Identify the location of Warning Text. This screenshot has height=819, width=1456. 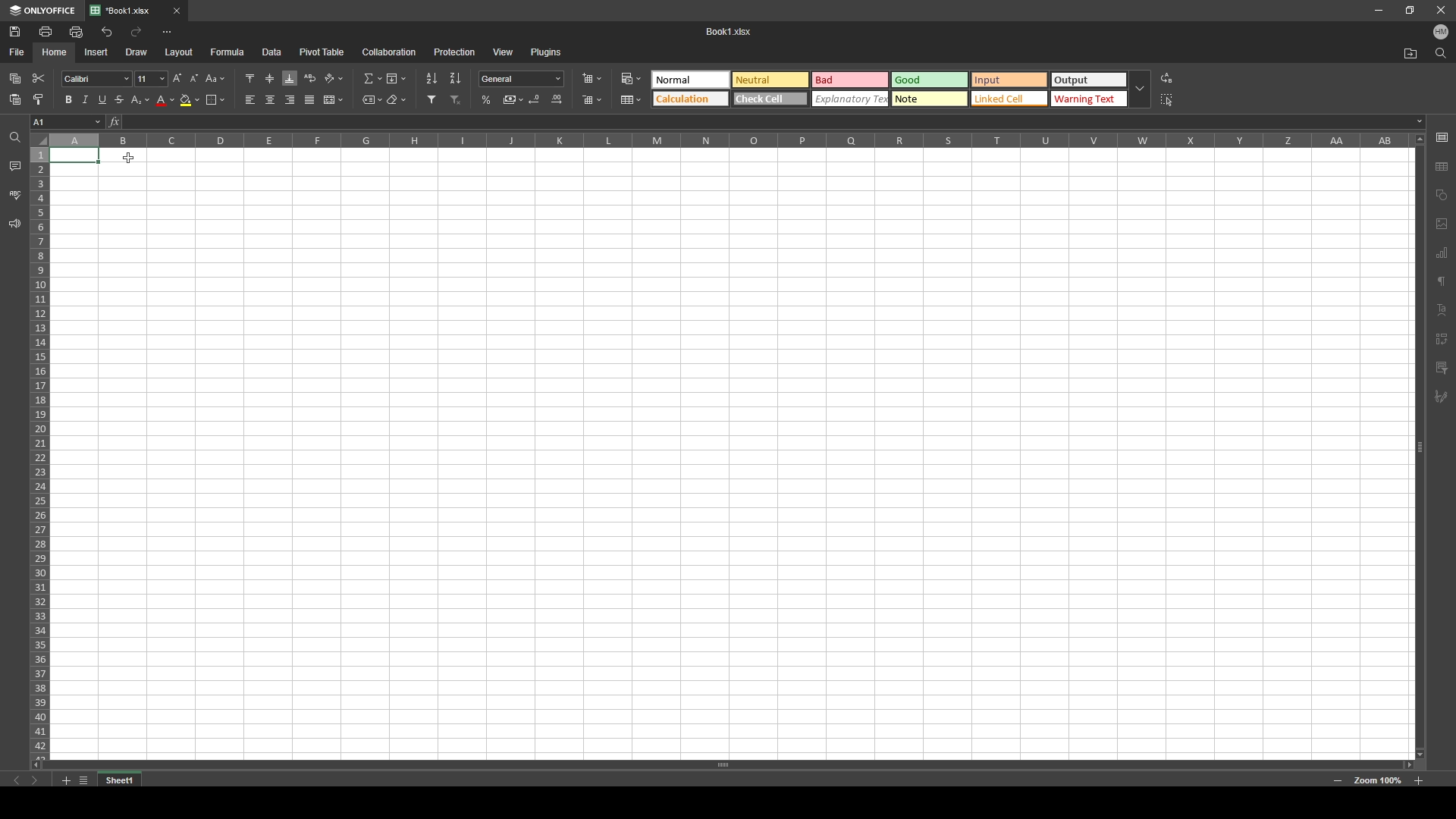
(1089, 100).